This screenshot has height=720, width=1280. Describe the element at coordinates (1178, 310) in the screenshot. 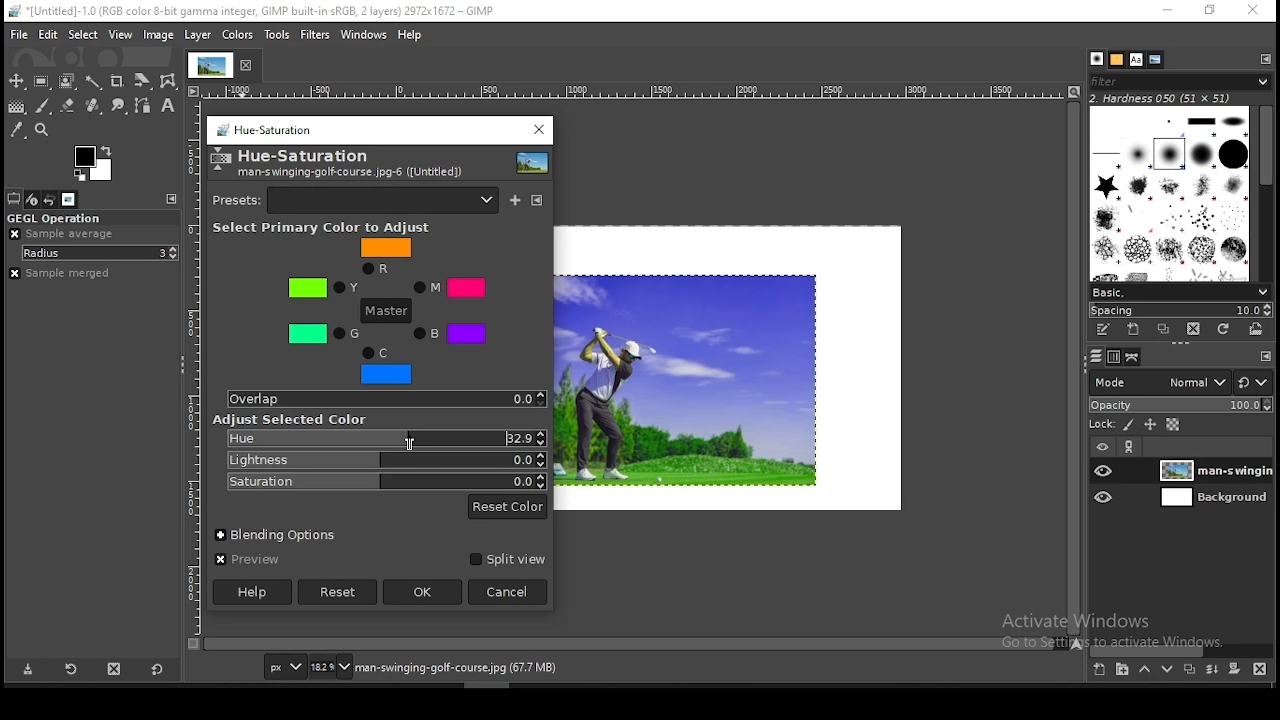

I see `spacing` at that location.